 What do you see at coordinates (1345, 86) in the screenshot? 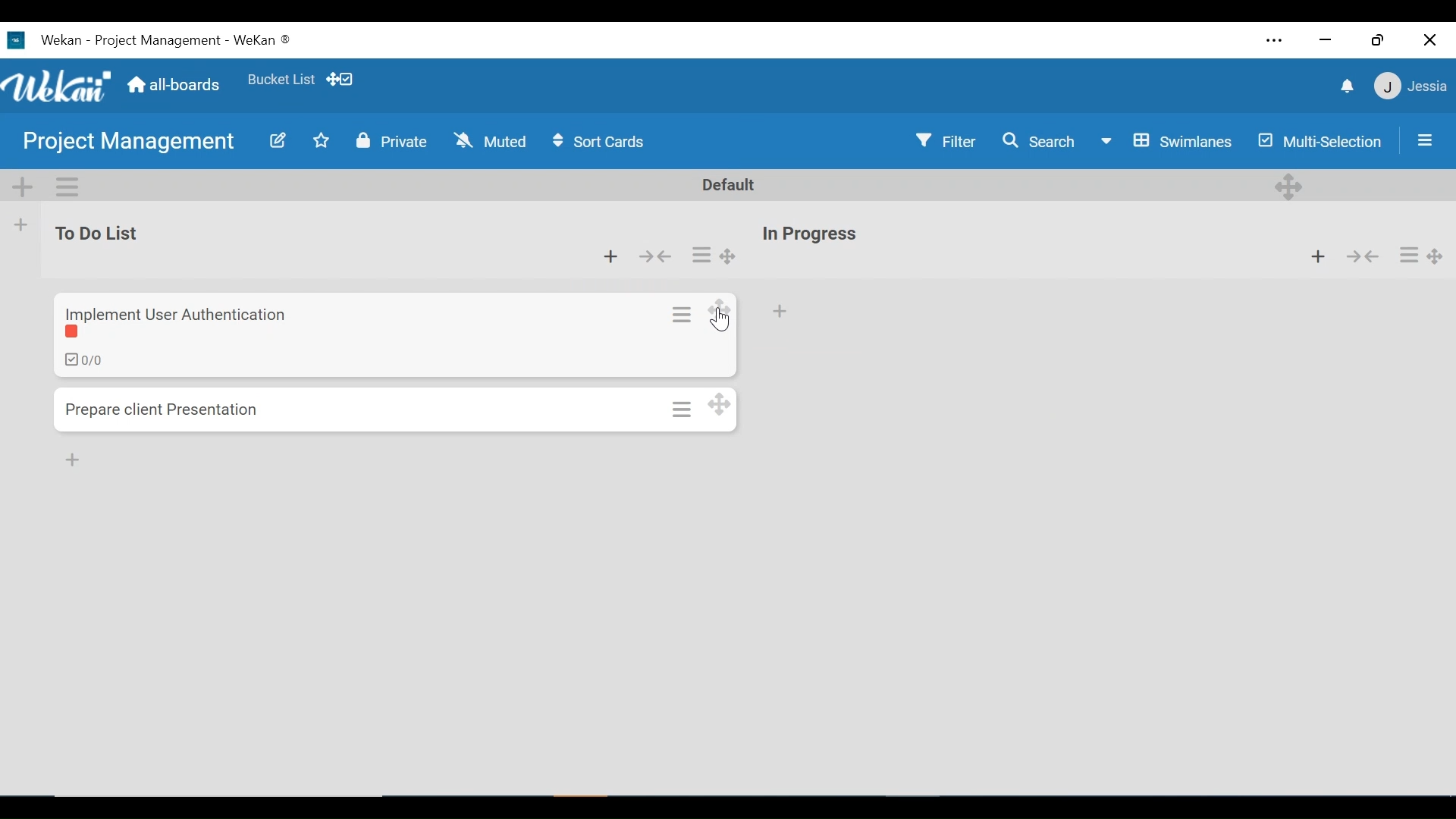
I see `notifications` at bounding box center [1345, 86].